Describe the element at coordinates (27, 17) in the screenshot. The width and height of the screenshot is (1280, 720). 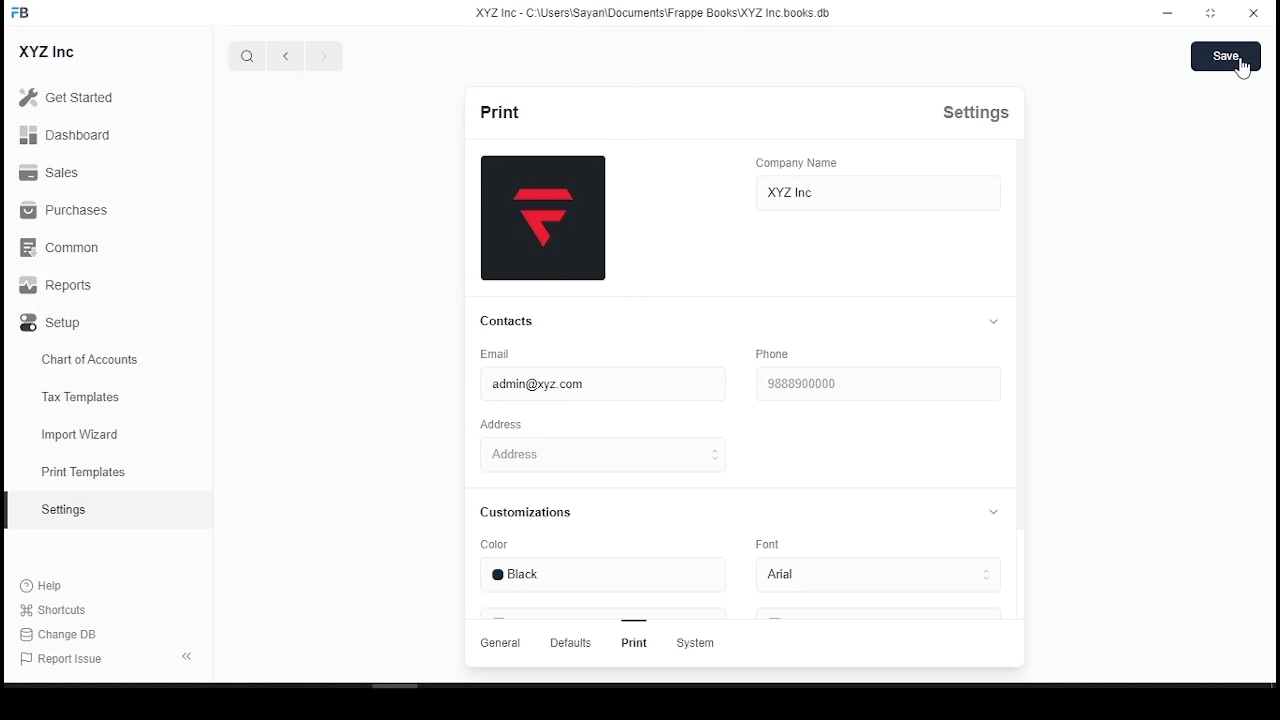
I see `icon` at that location.